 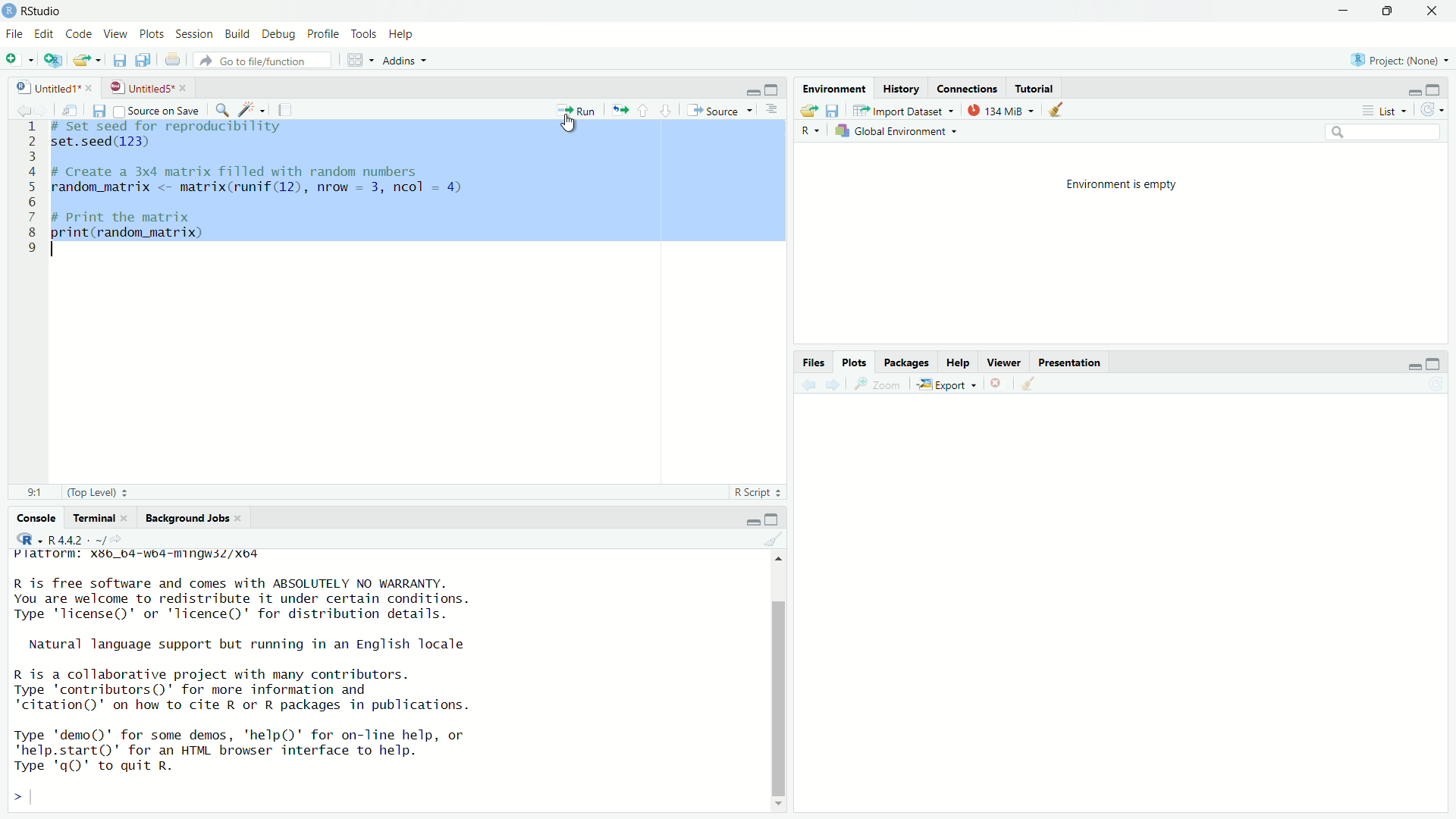 I want to click on Packages, so click(x=908, y=365).